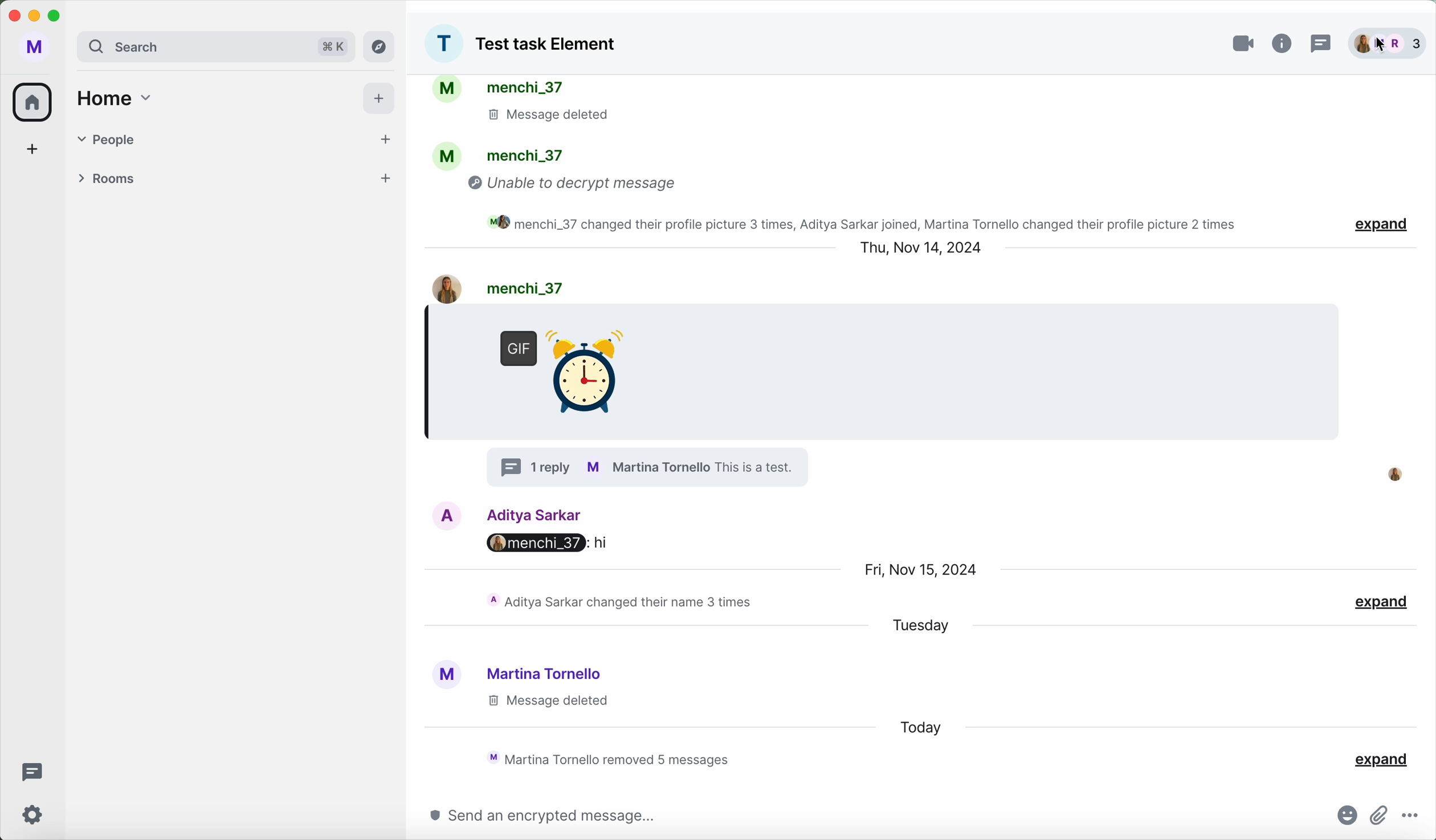  I want to click on add, so click(386, 140).